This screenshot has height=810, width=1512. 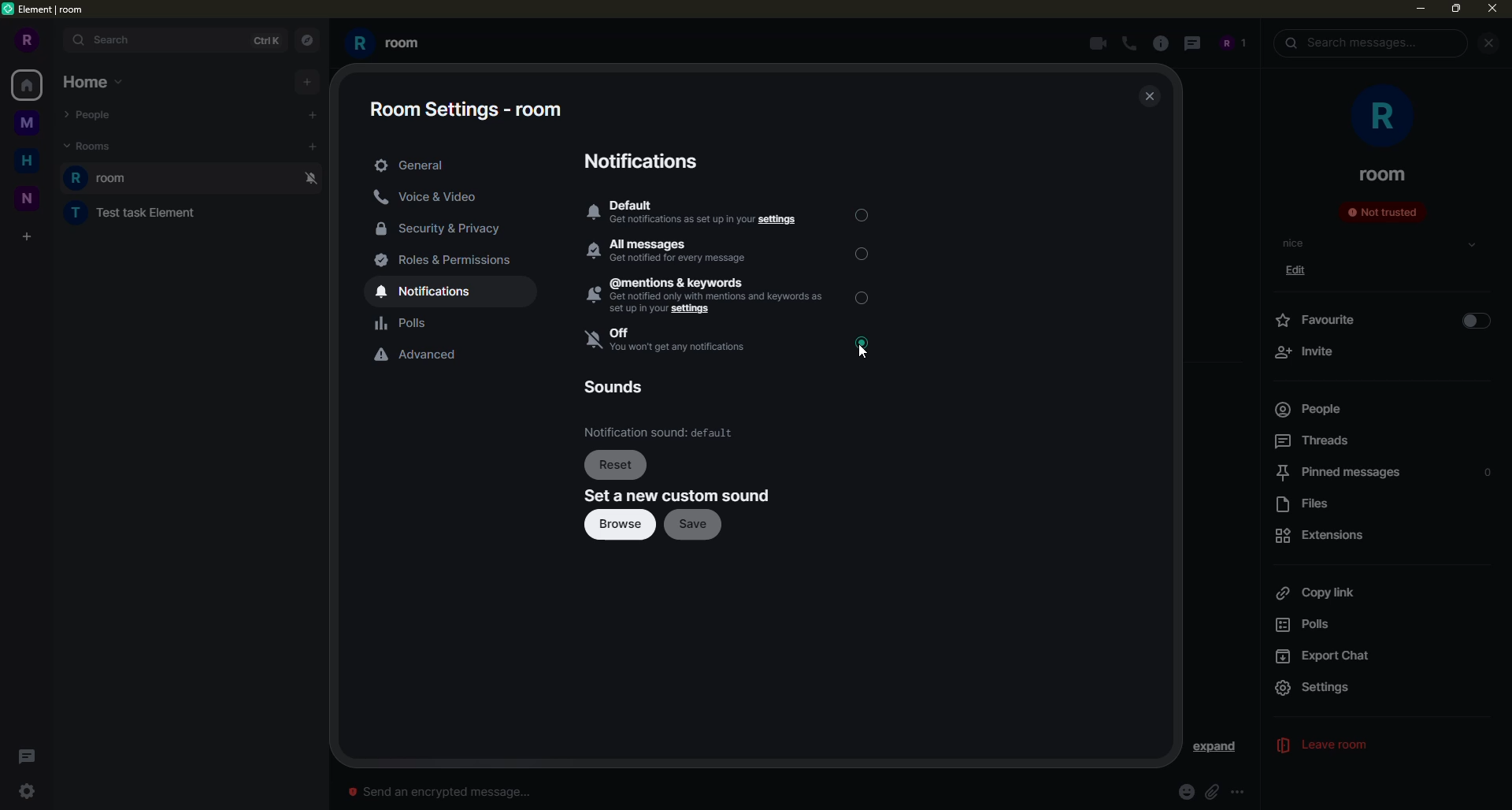 I want to click on voice & video, so click(x=425, y=197).